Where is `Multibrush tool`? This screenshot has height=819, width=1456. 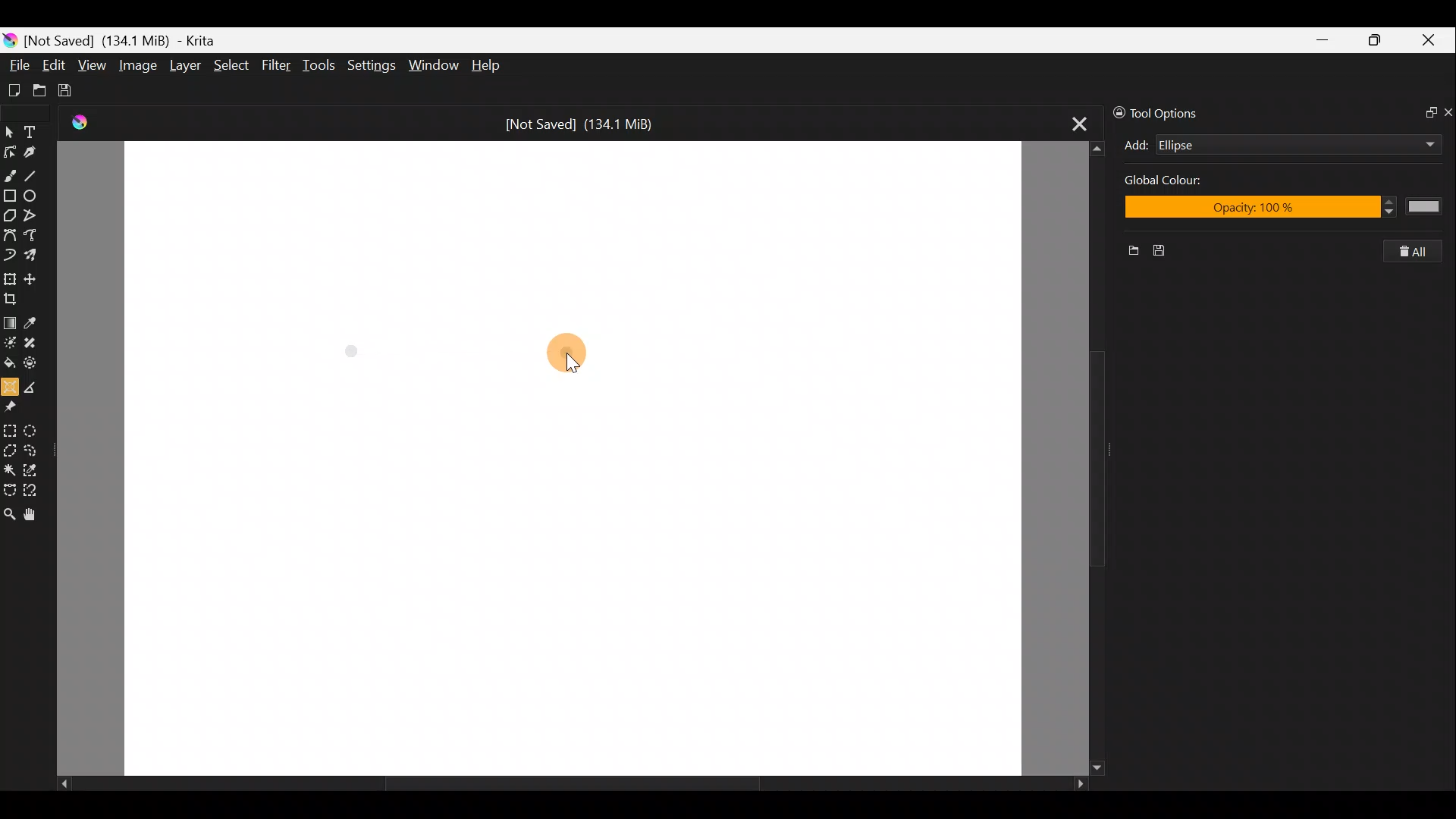
Multibrush tool is located at coordinates (33, 257).